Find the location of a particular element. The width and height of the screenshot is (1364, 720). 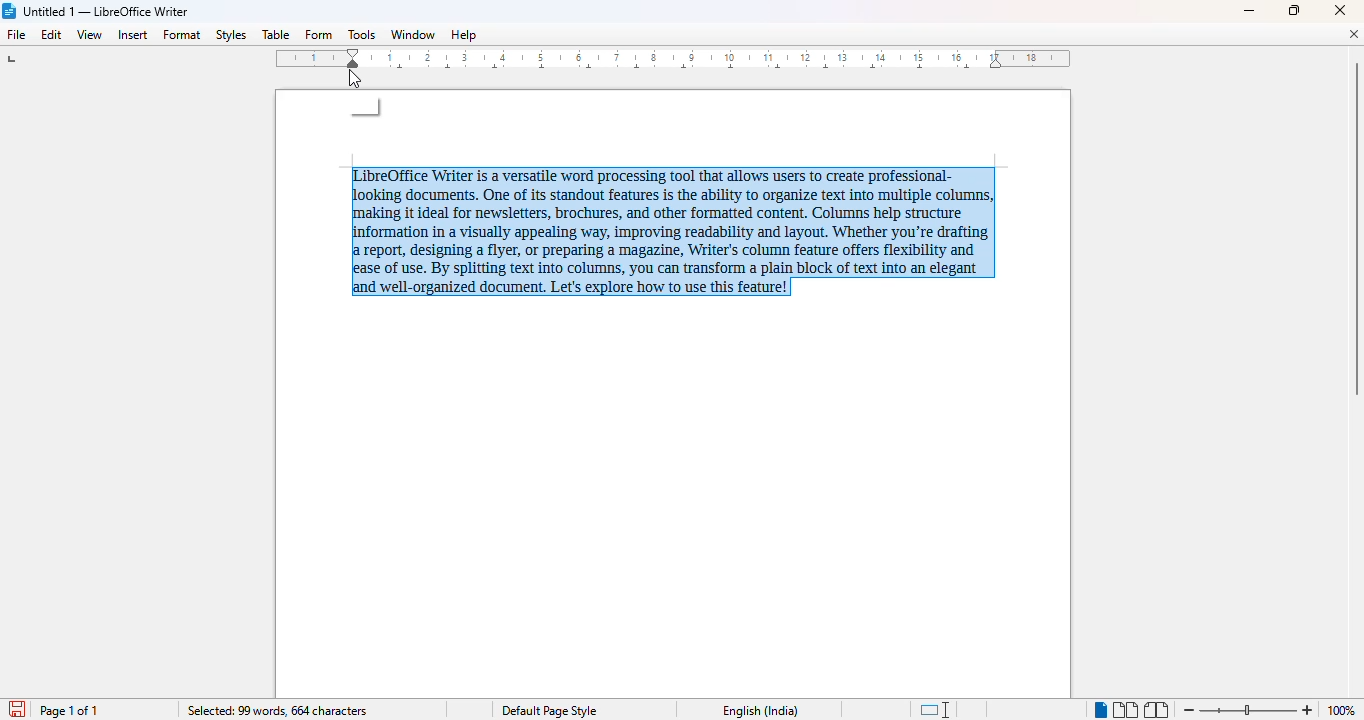

mouse down is located at coordinates (368, 109).